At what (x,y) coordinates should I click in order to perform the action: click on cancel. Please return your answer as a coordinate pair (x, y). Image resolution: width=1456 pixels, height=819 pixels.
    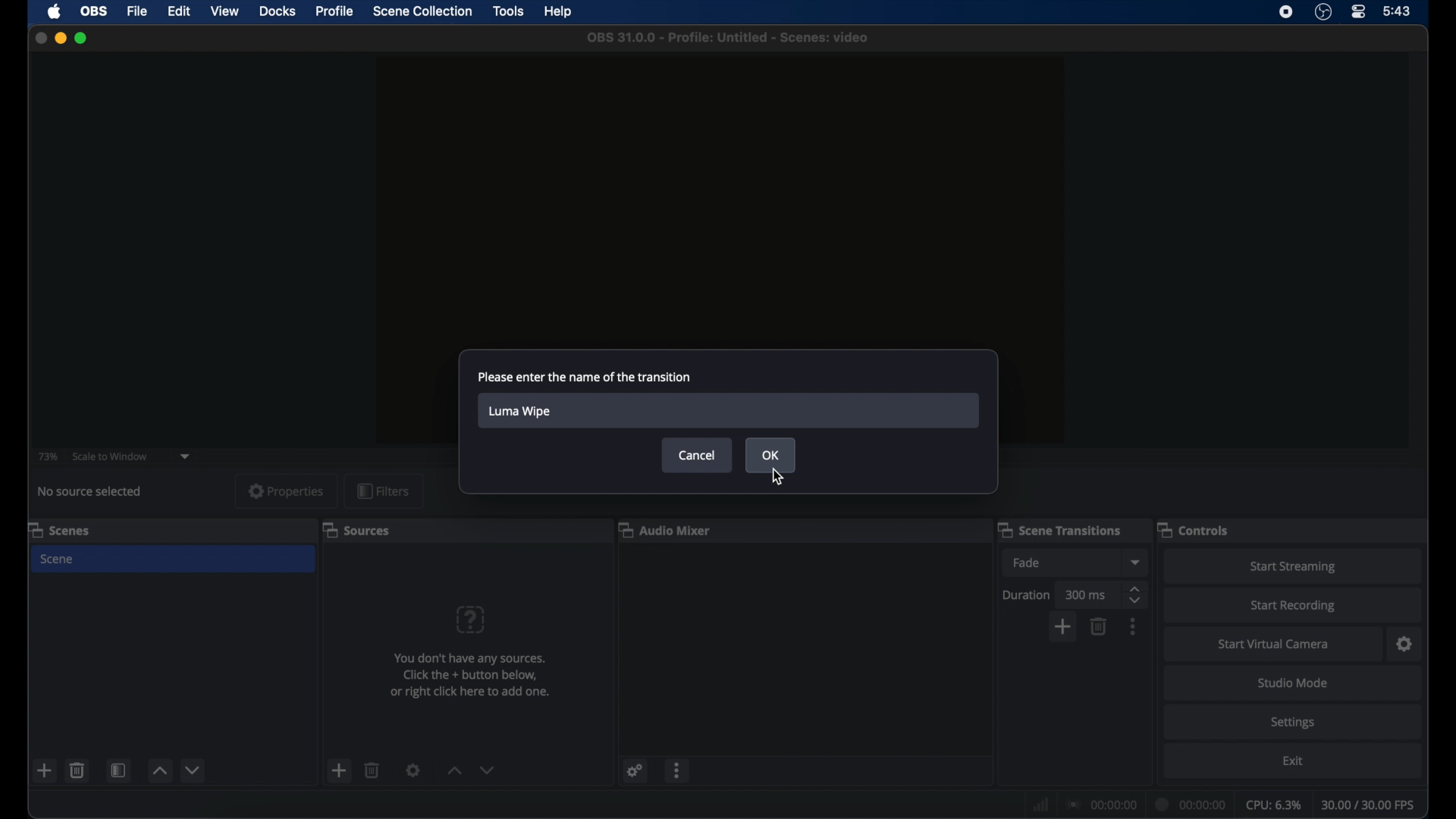
    Looking at the image, I should click on (696, 455).